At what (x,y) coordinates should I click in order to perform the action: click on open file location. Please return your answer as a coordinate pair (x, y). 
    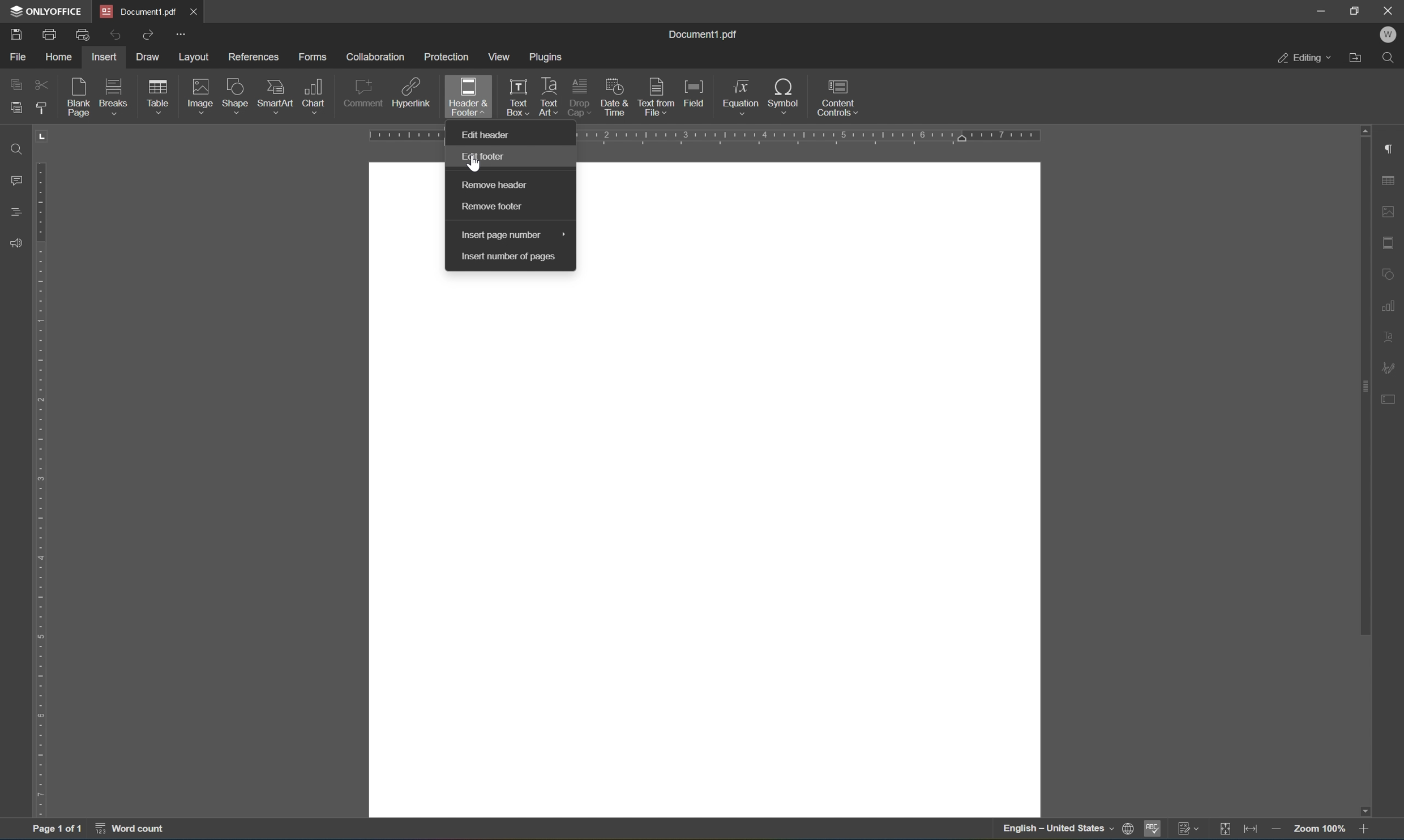
    Looking at the image, I should click on (1358, 59).